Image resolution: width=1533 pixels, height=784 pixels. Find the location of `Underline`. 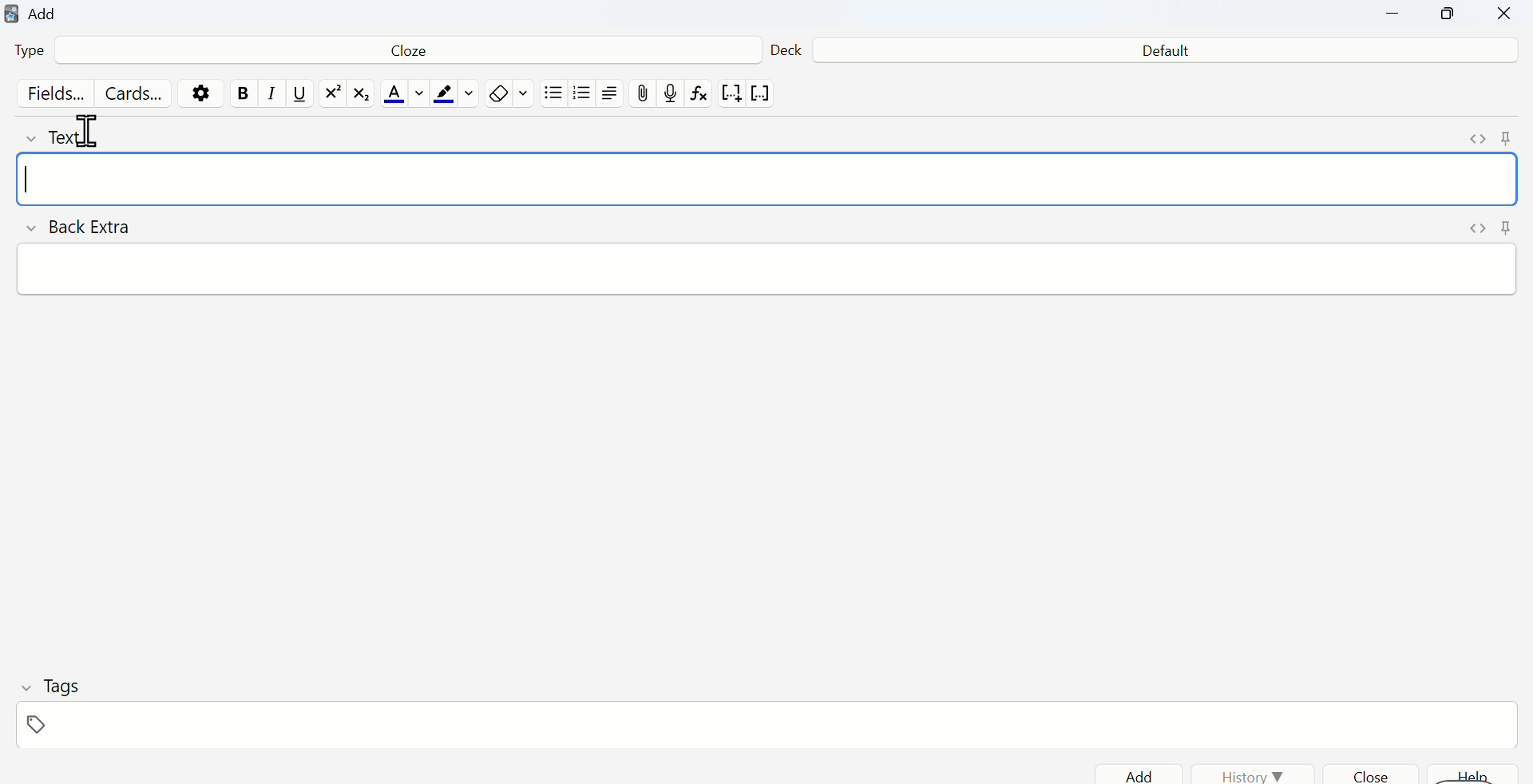

Underline is located at coordinates (299, 95).